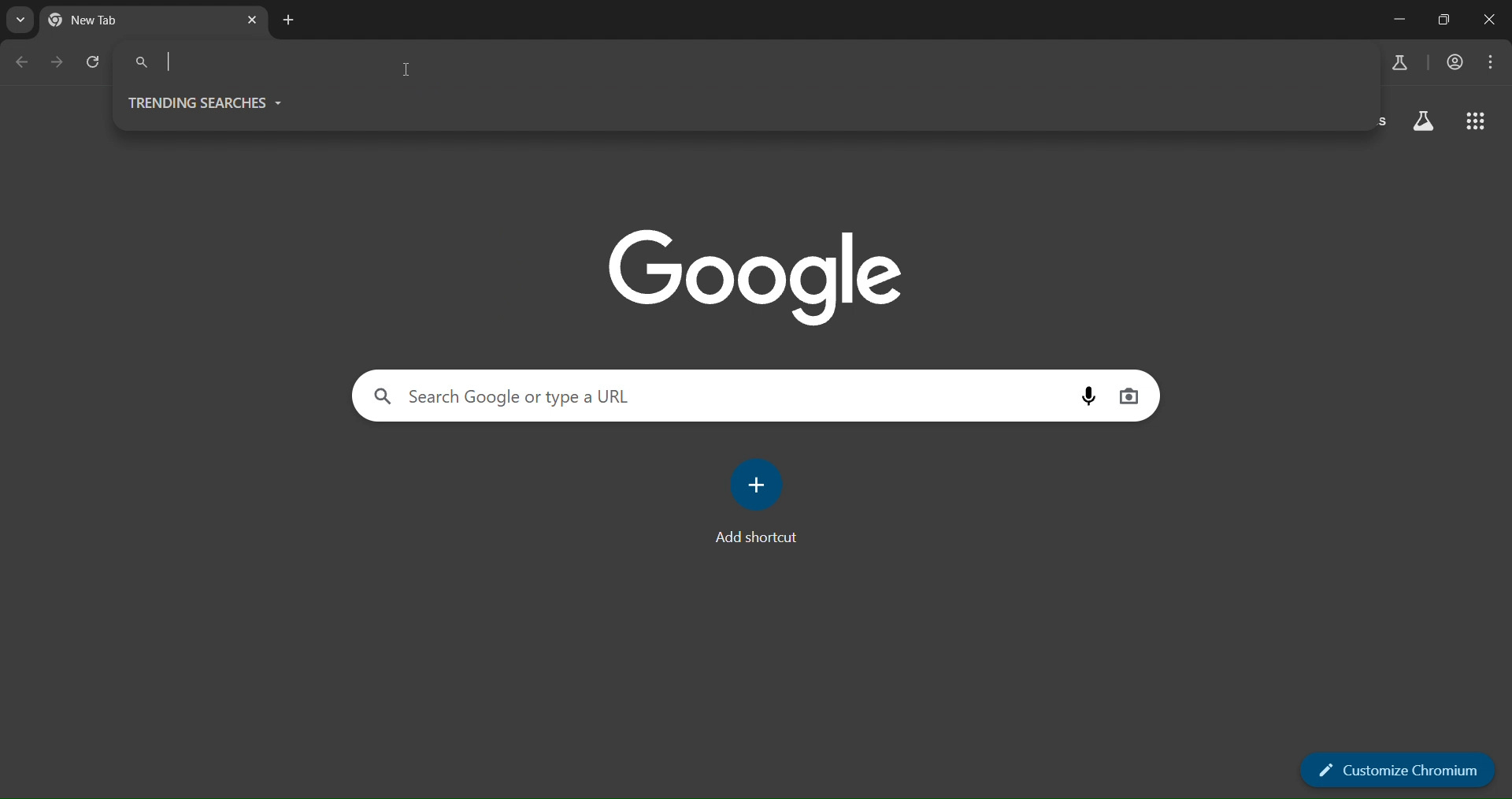  Describe the element at coordinates (1424, 121) in the screenshot. I see `search labs` at that location.